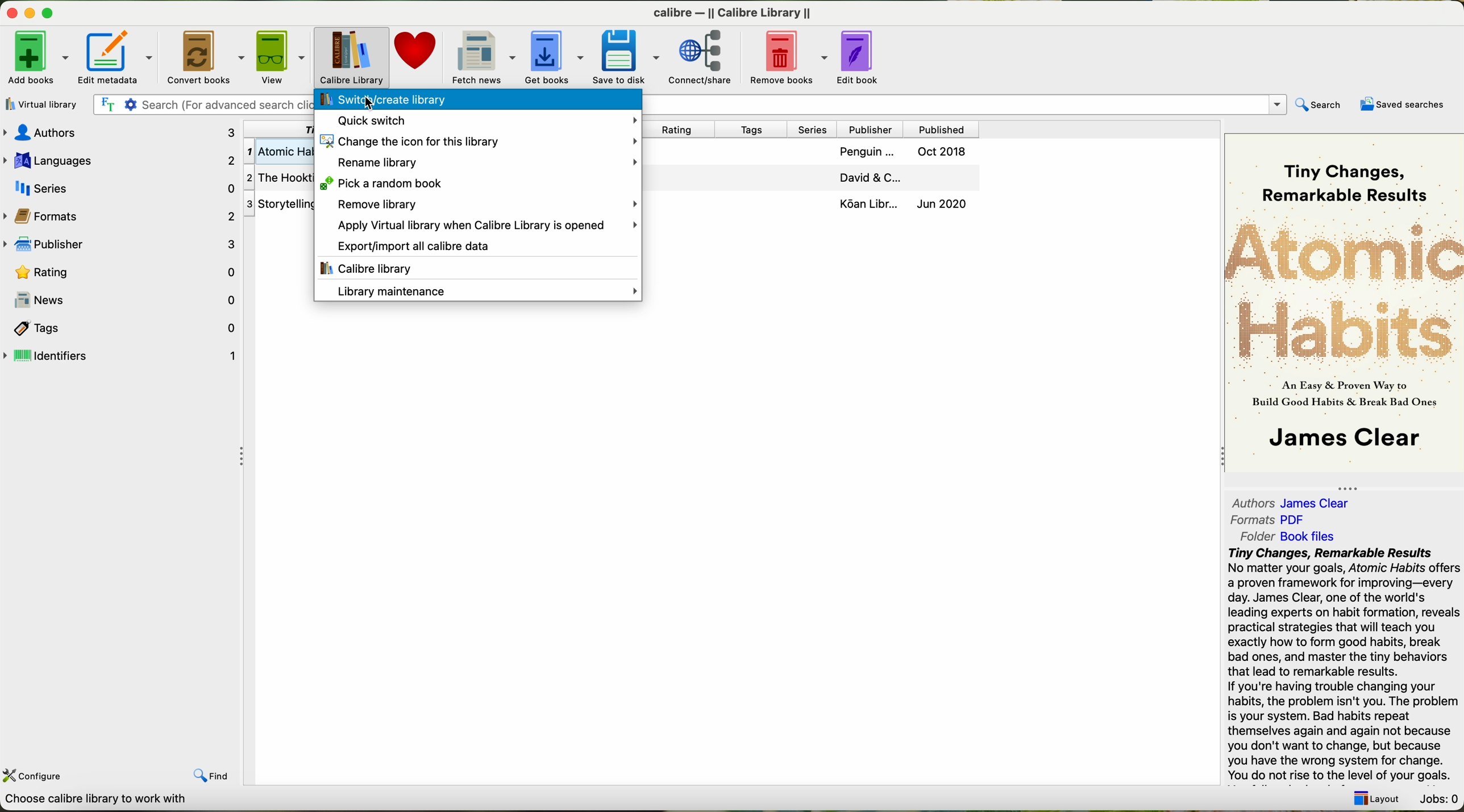 The height and width of the screenshot is (812, 1464). I want to click on connect/share, so click(702, 57).